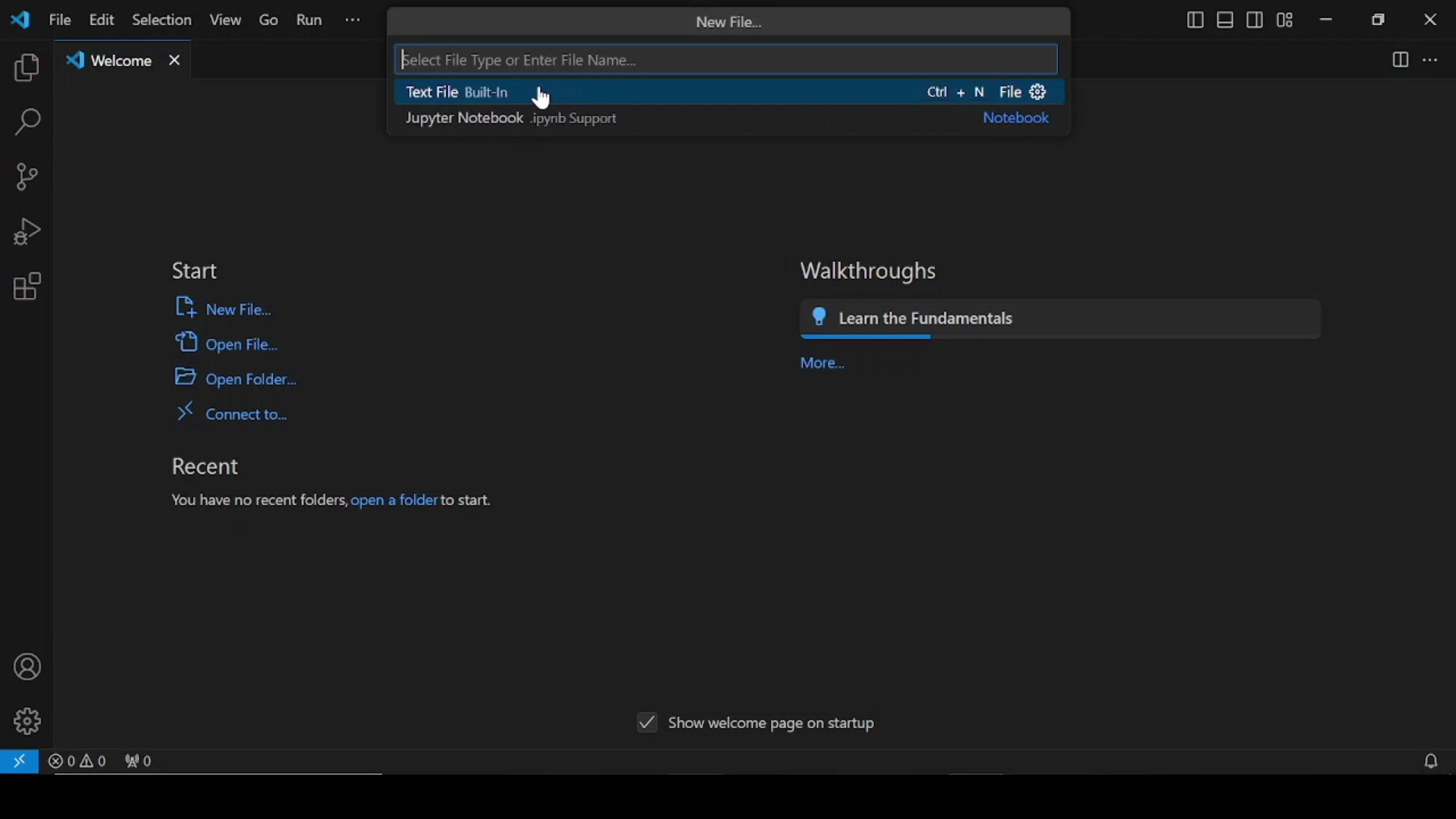  I want to click on previous, so click(424, 20).